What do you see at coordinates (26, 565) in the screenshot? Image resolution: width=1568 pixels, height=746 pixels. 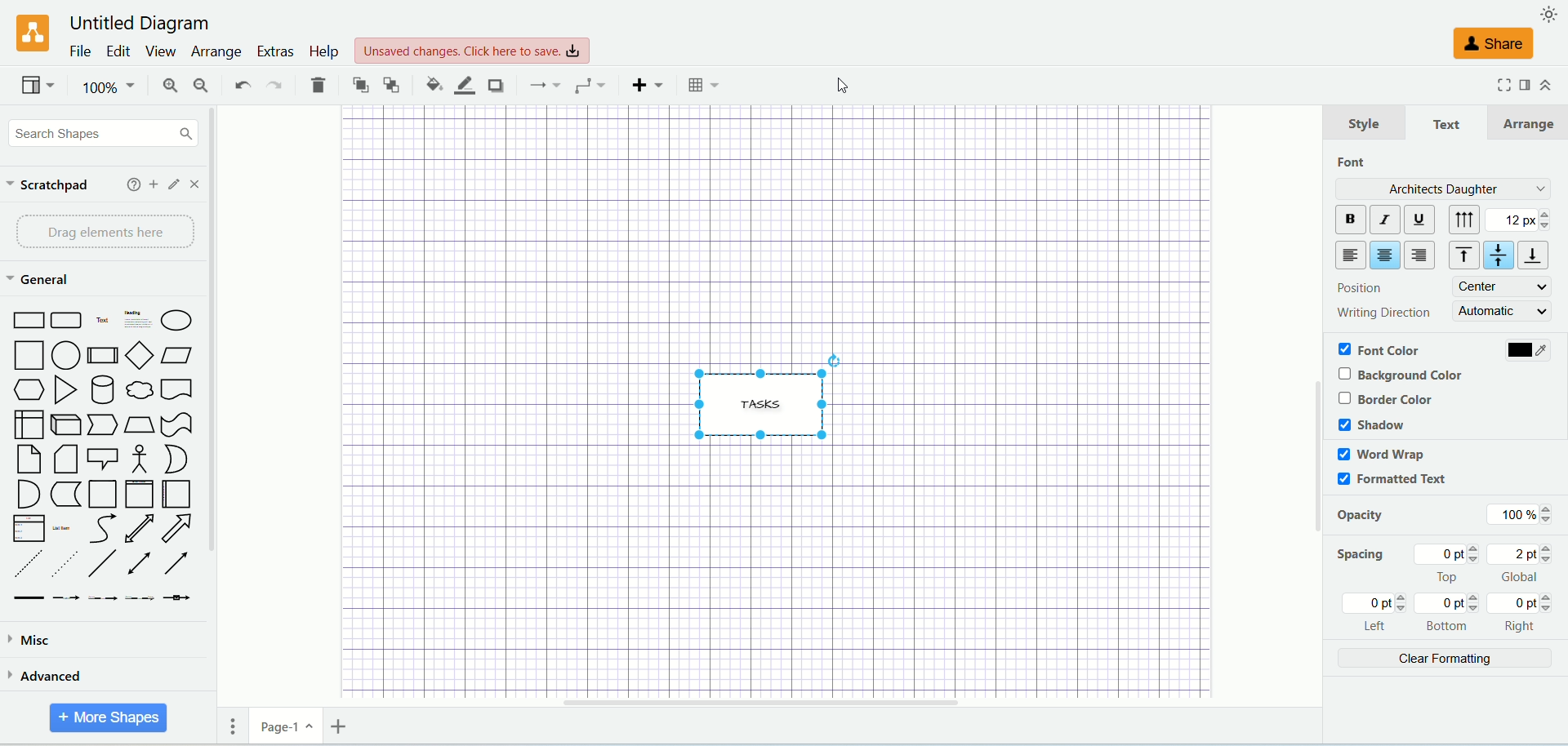 I see `Dashed Line` at bounding box center [26, 565].